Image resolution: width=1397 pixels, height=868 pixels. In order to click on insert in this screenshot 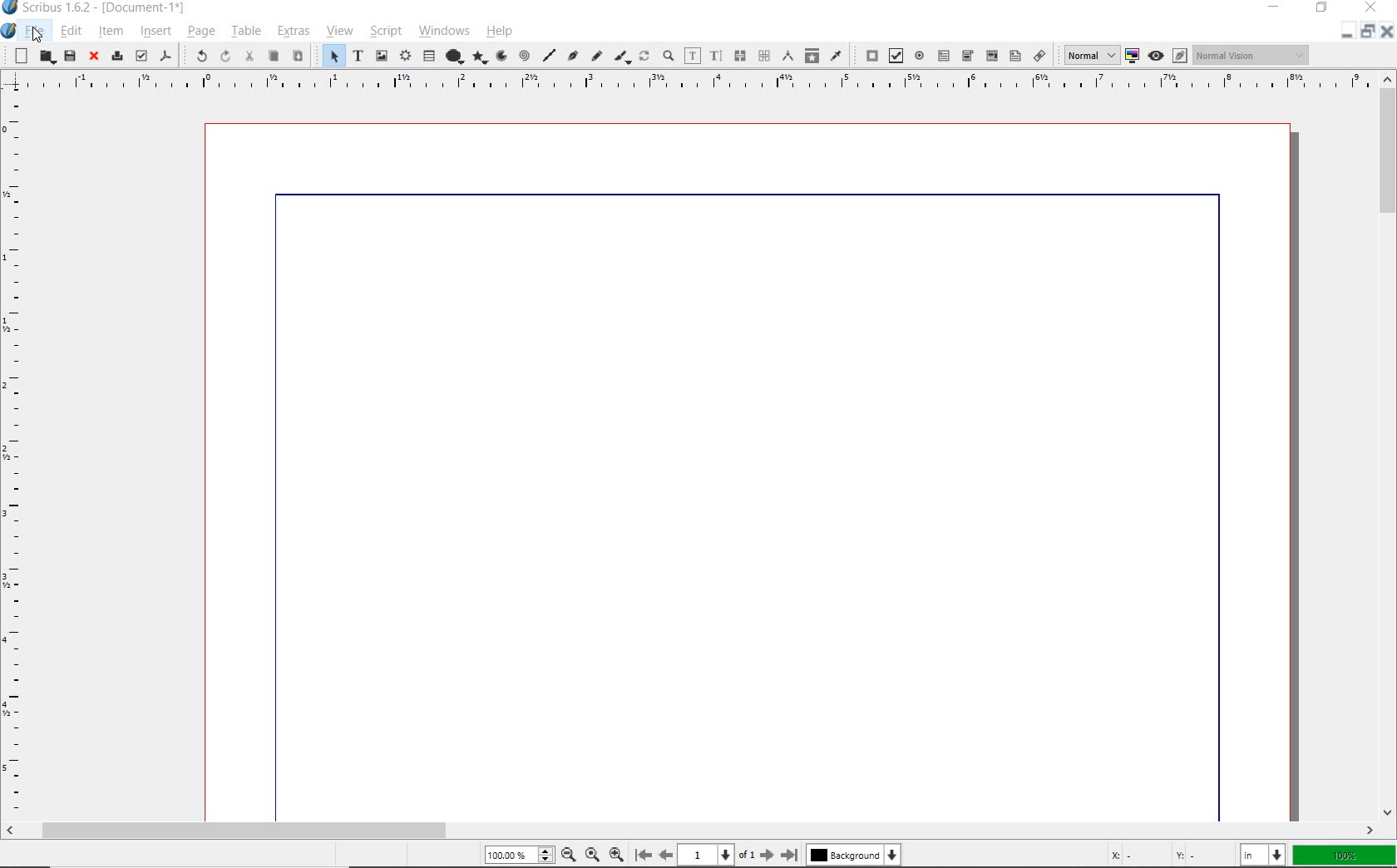, I will do `click(155, 32)`.